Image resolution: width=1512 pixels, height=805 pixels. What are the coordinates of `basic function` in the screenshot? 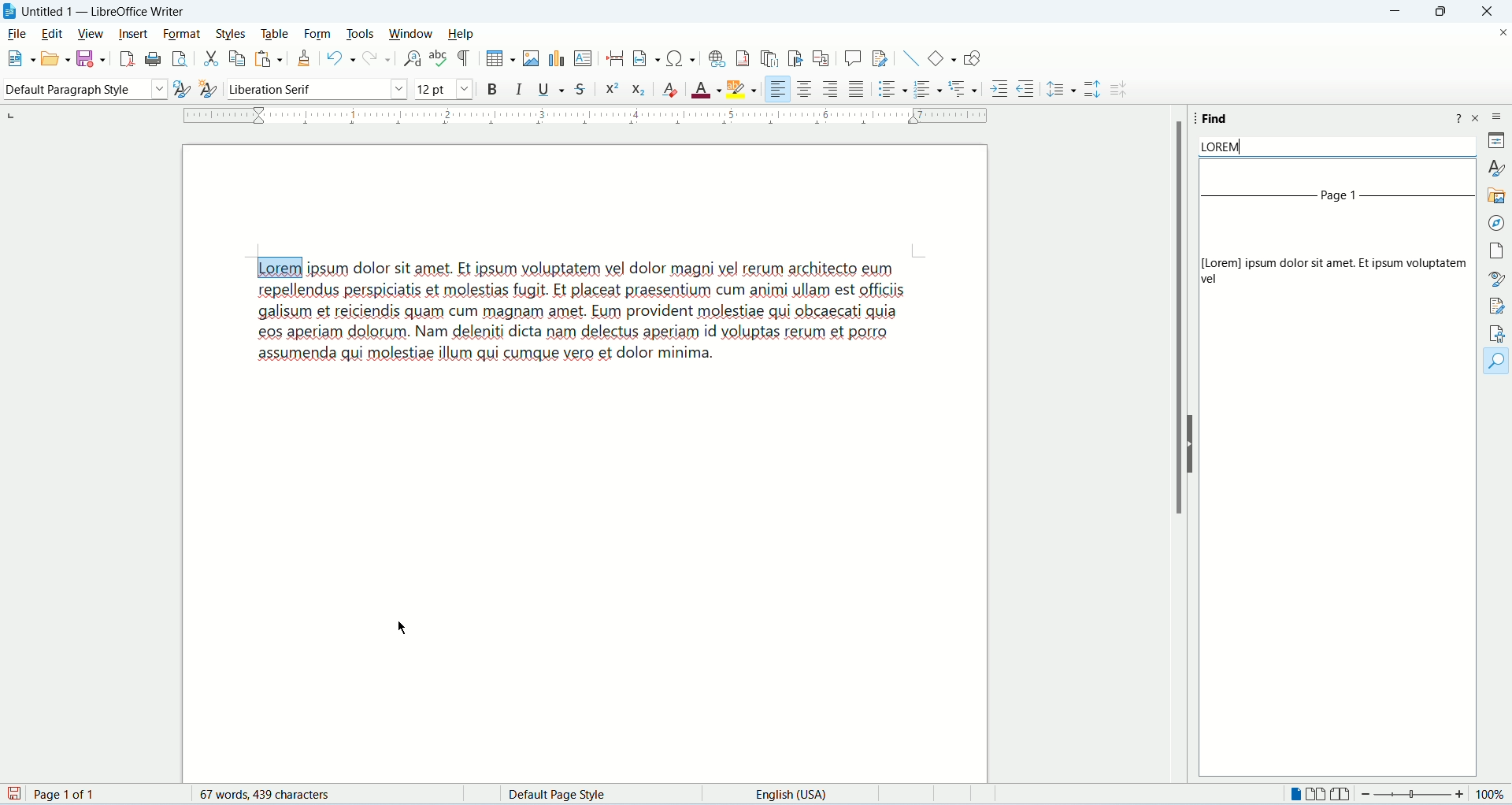 It's located at (941, 63).